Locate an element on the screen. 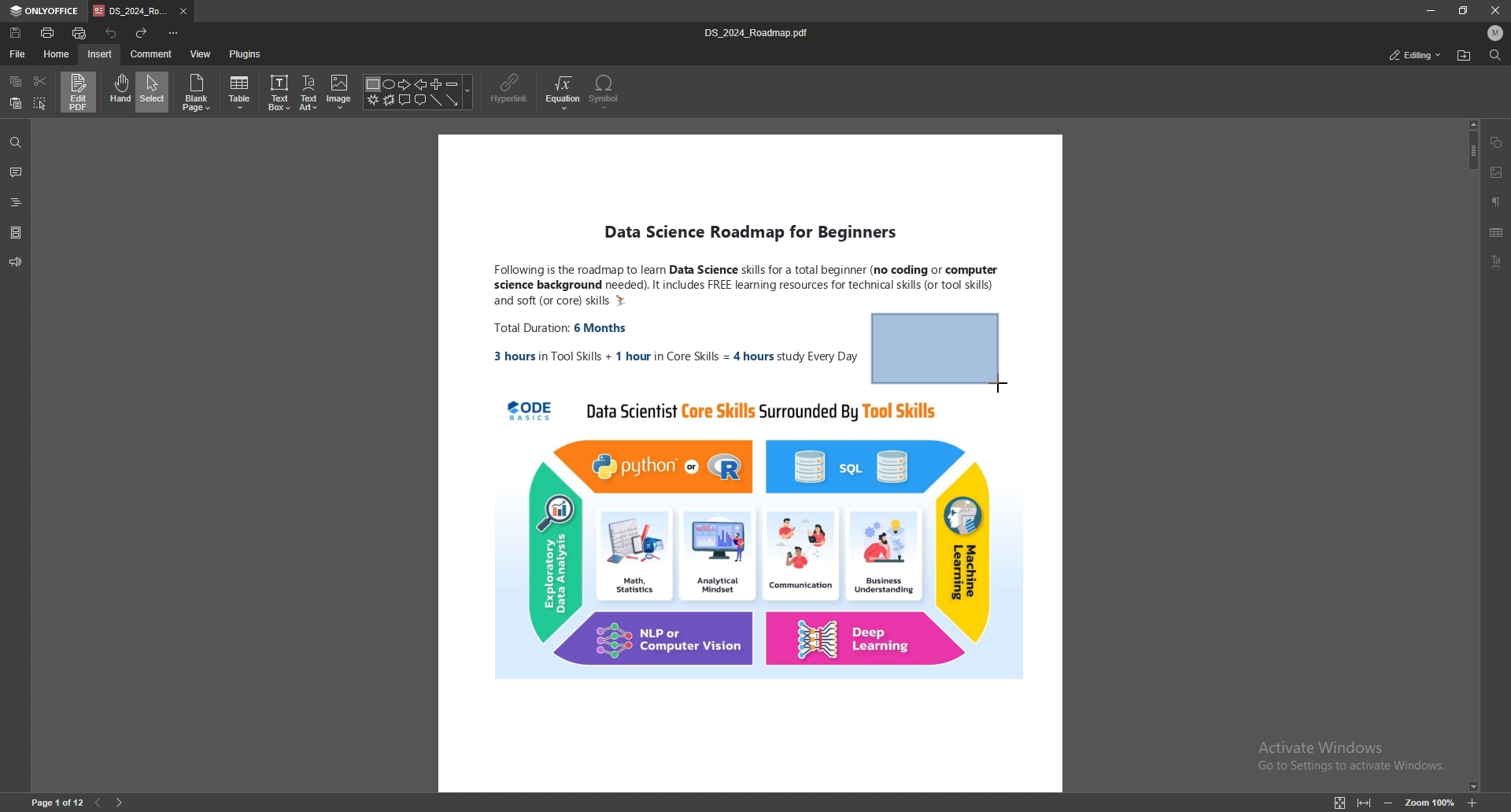  shapes is located at coordinates (419, 93).